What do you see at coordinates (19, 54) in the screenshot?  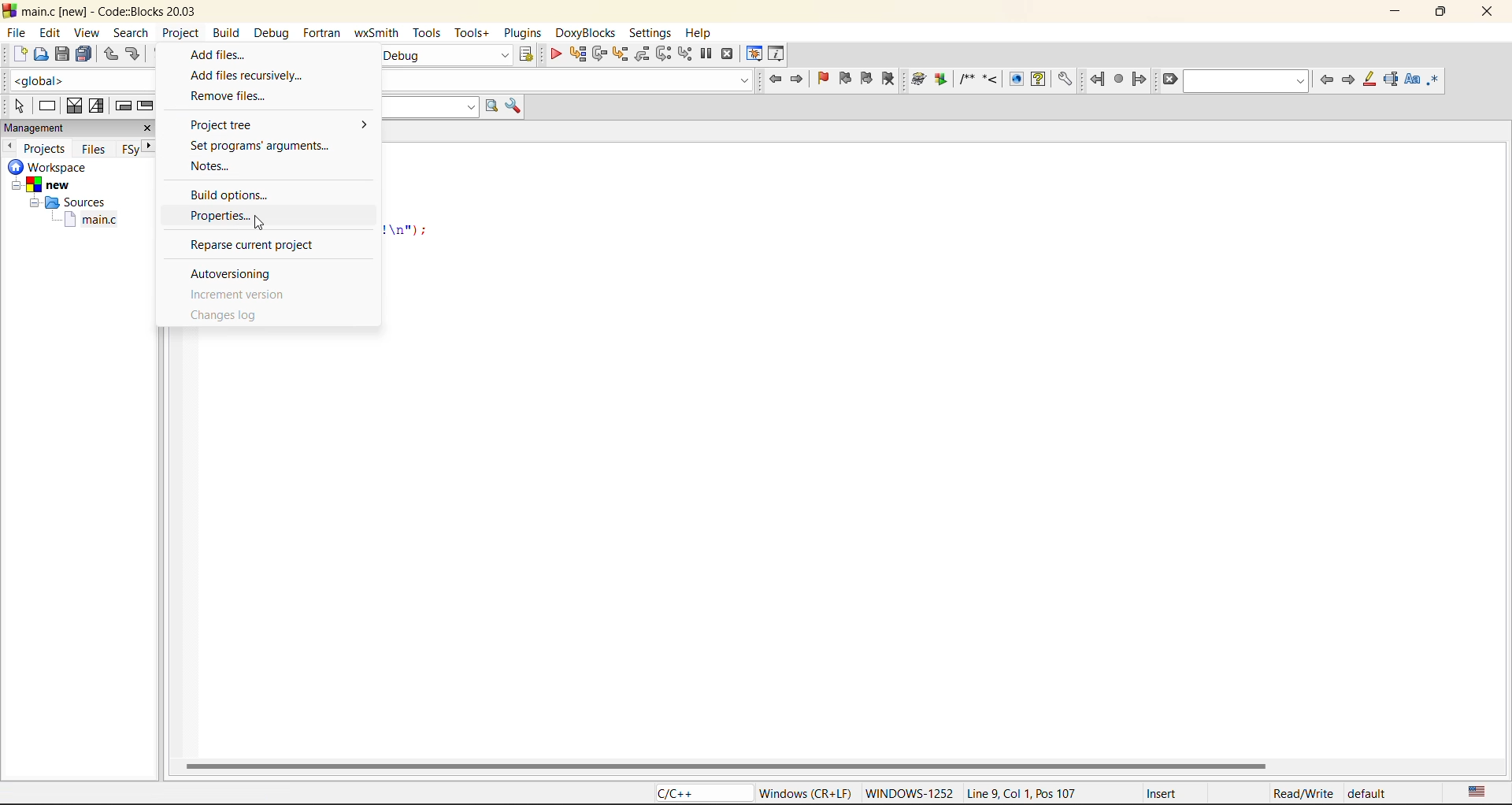 I see `new` at bounding box center [19, 54].